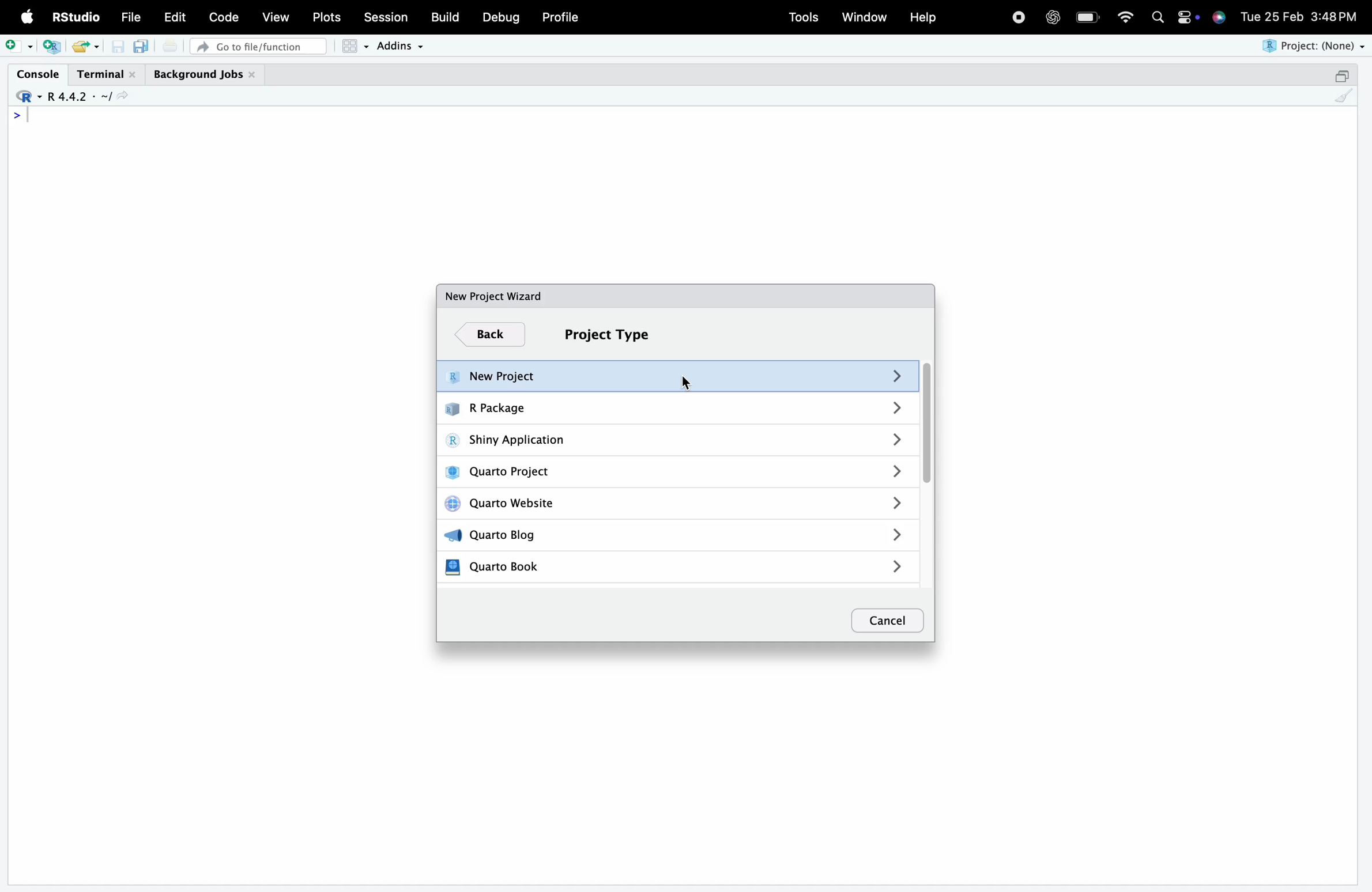 This screenshot has width=1372, height=892. I want to click on New Project, so click(676, 377).